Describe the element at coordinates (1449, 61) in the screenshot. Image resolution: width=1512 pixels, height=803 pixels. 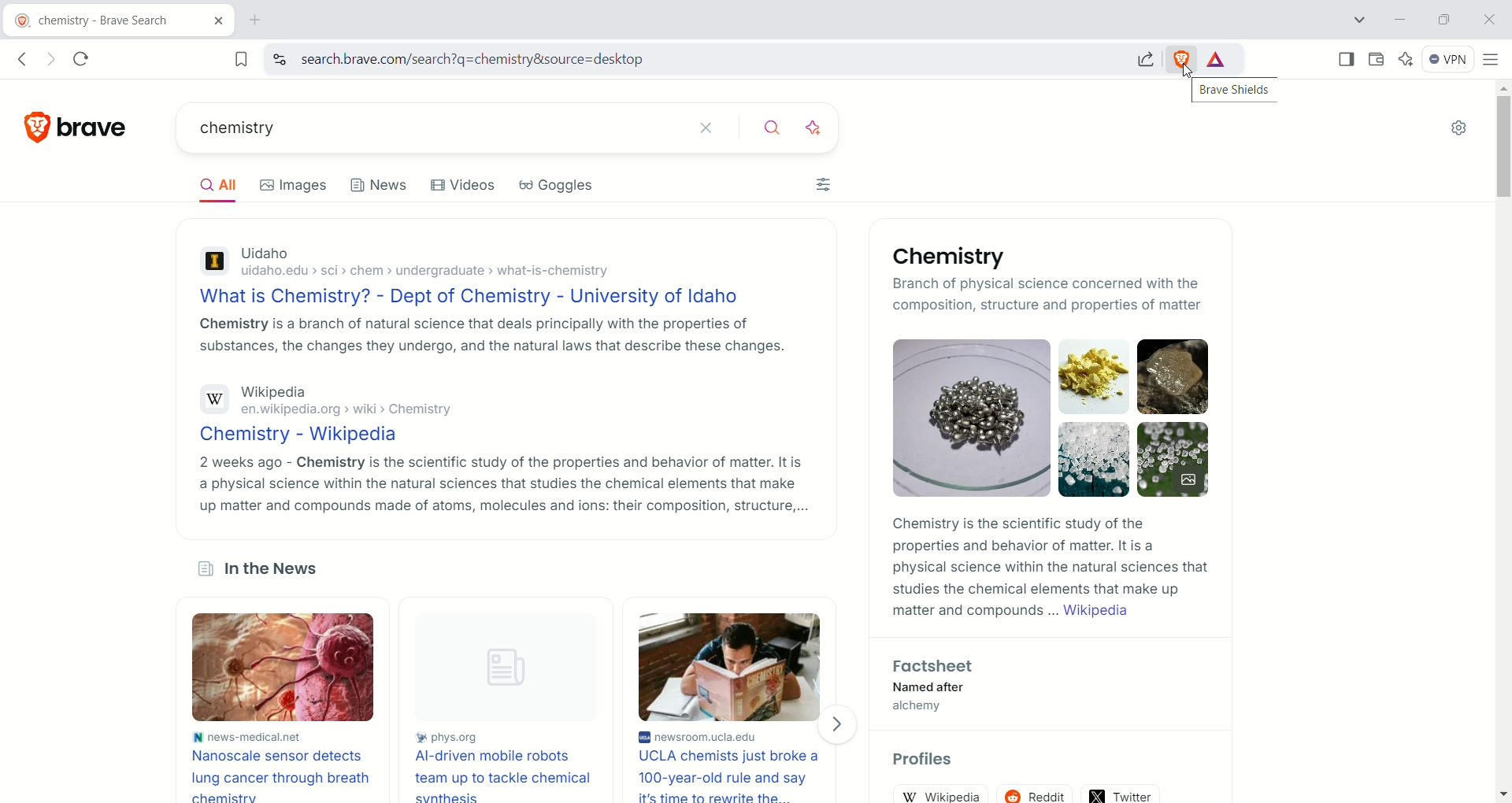
I see `VPN` at that location.